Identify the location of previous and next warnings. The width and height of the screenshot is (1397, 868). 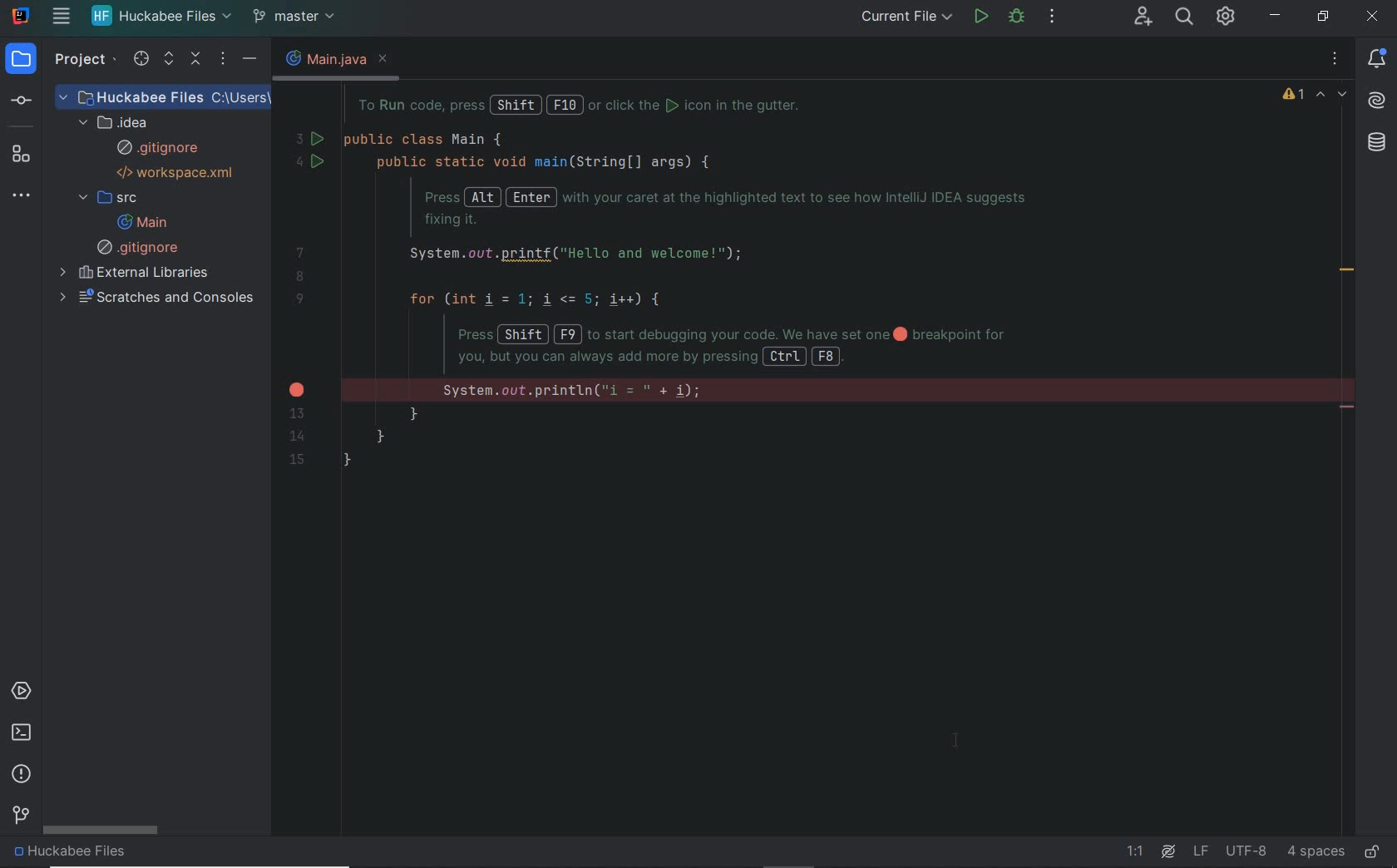
(1334, 96).